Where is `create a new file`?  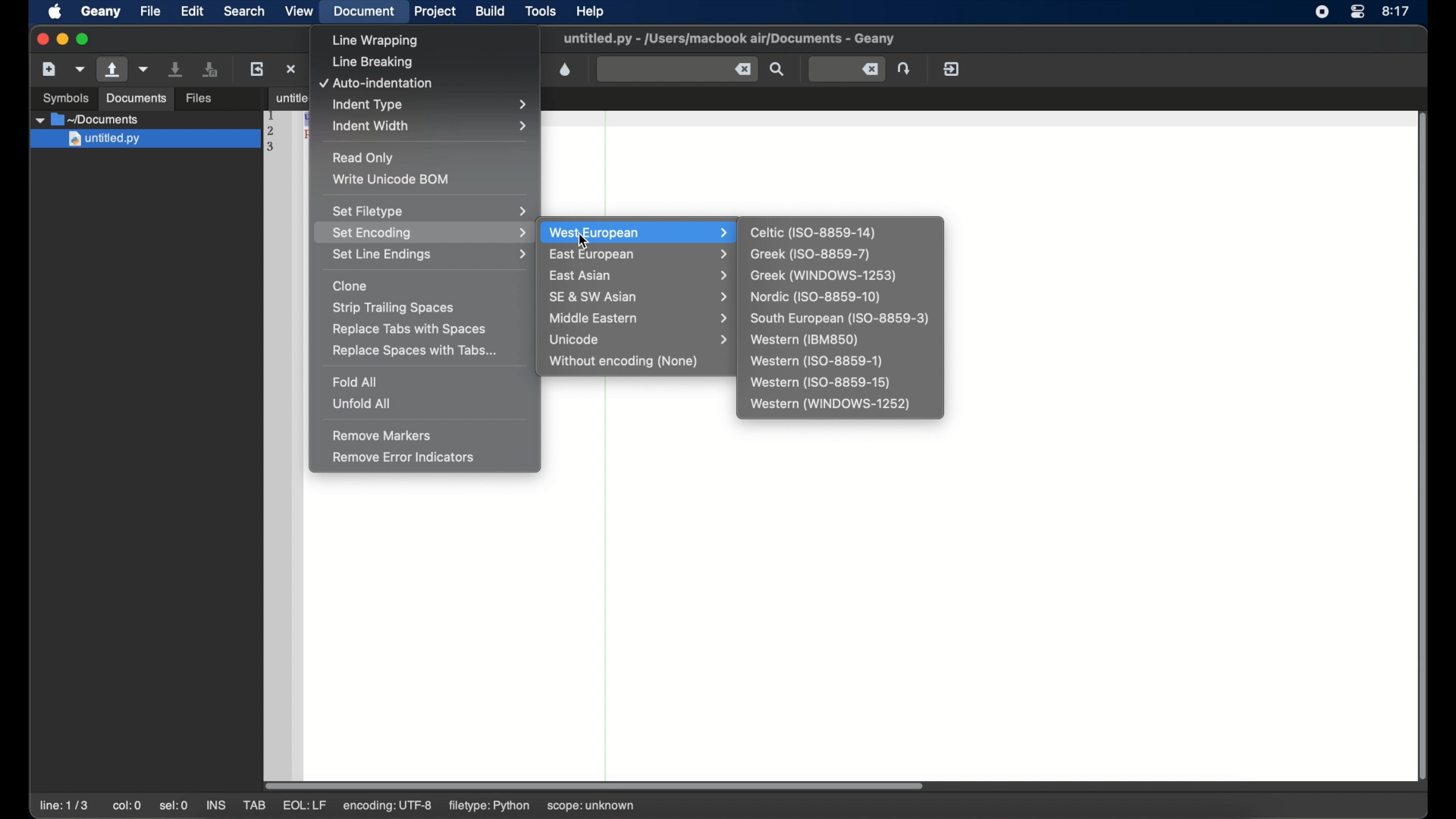
create a new file is located at coordinates (49, 69).